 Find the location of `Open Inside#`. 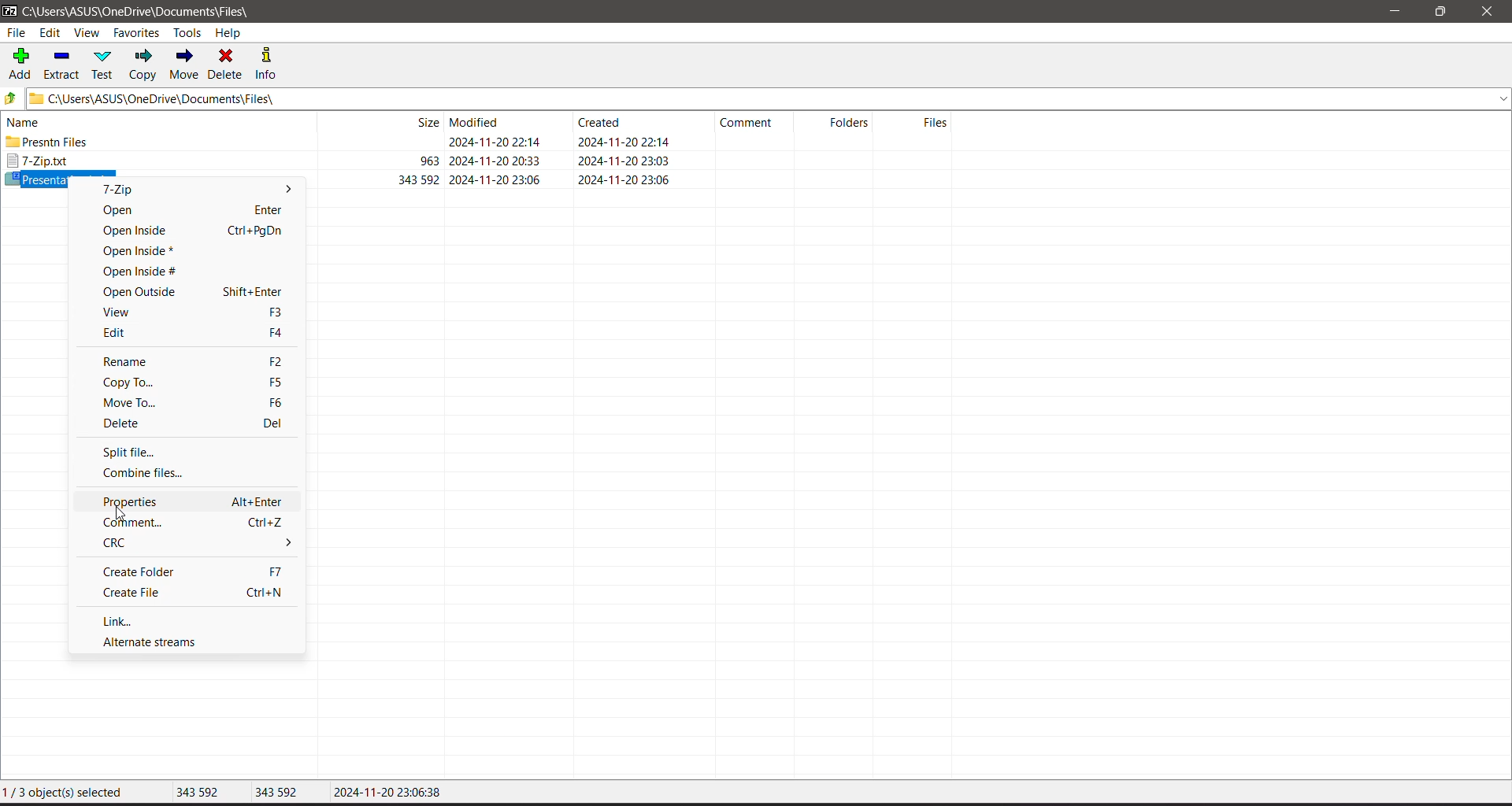

Open Inside# is located at coordinates (143, 271).